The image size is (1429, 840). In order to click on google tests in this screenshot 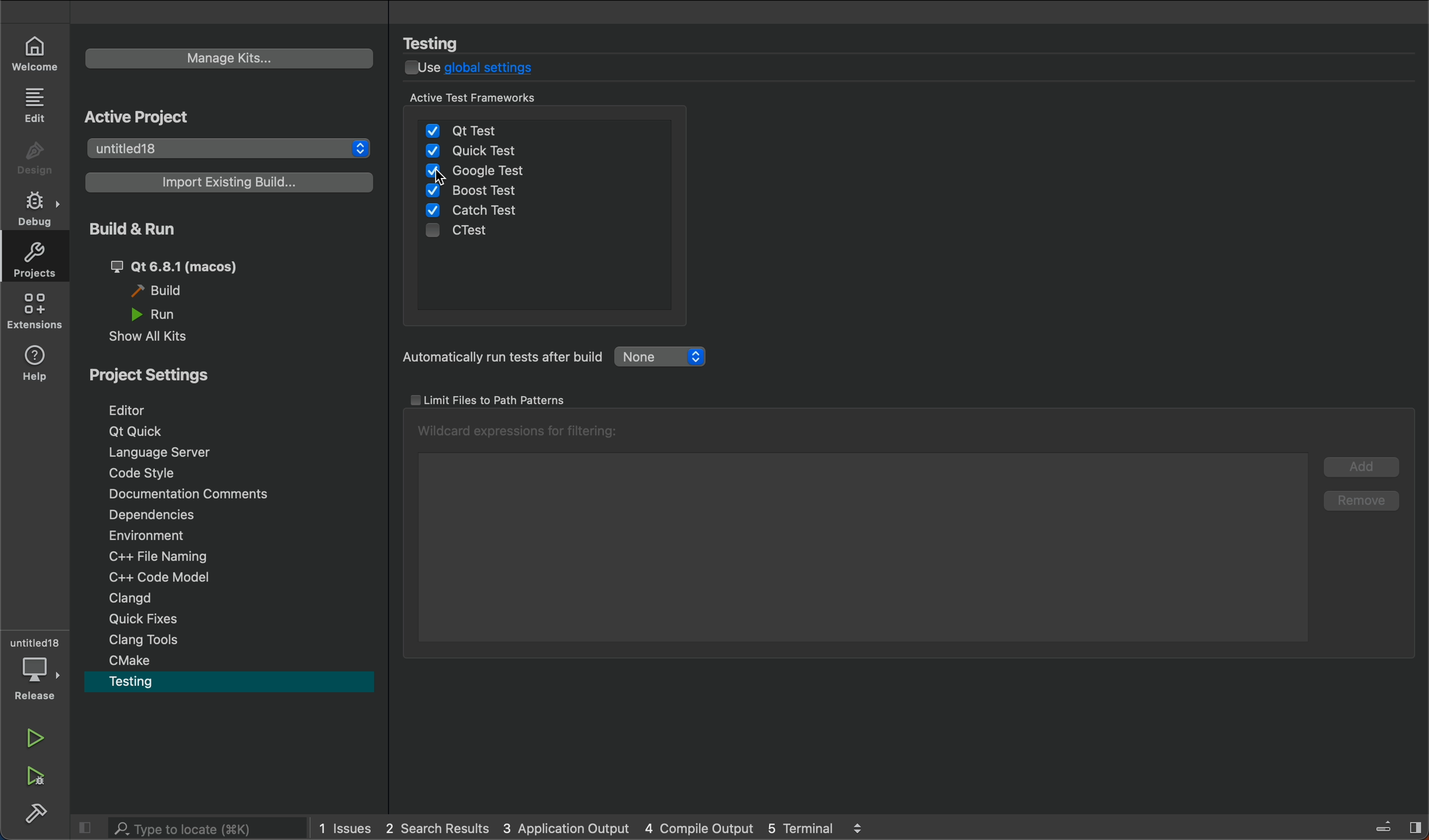, I will do `click(487, 168)`.